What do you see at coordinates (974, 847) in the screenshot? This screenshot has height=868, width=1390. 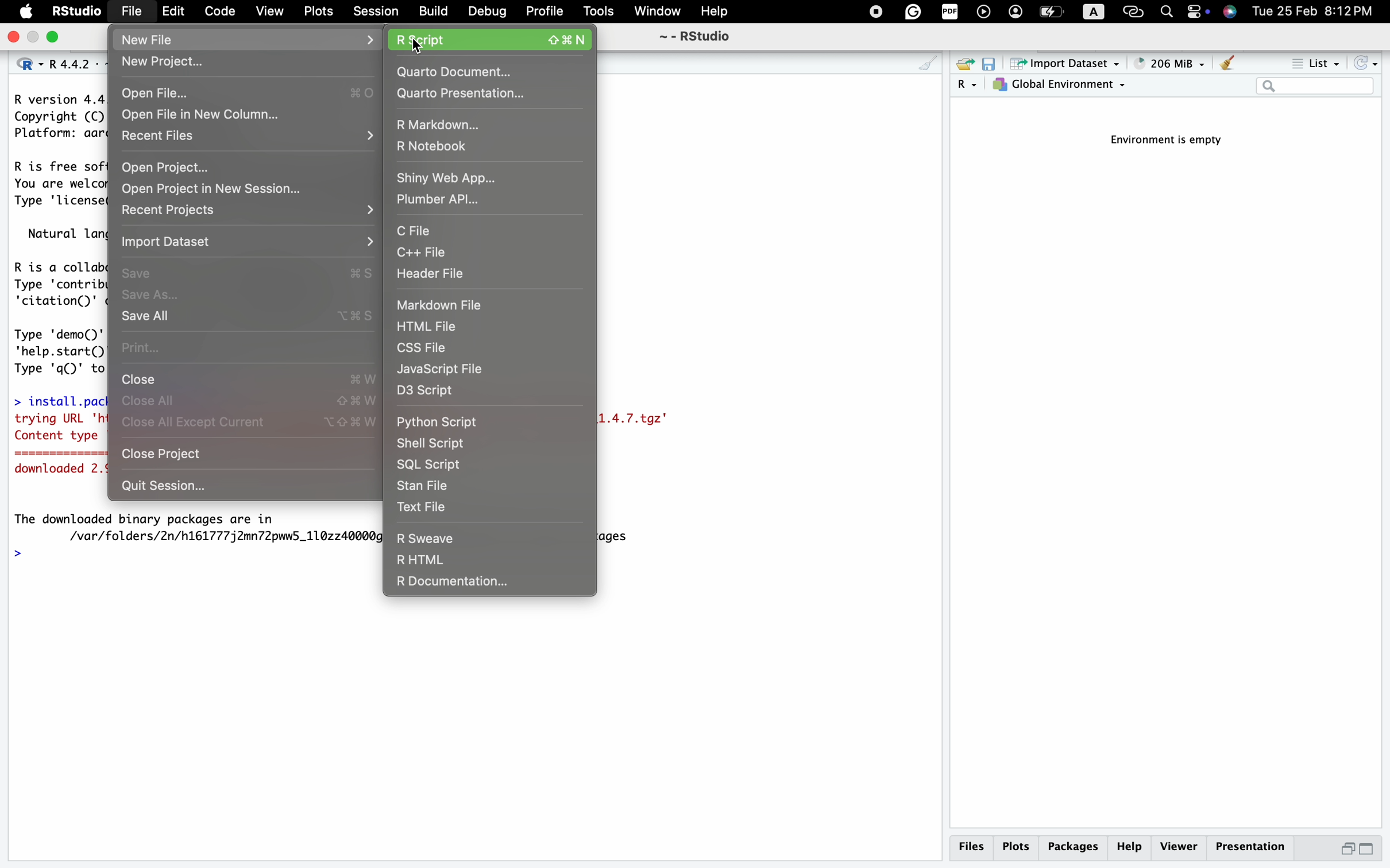 I see `files` at bounding box center [974, 847].